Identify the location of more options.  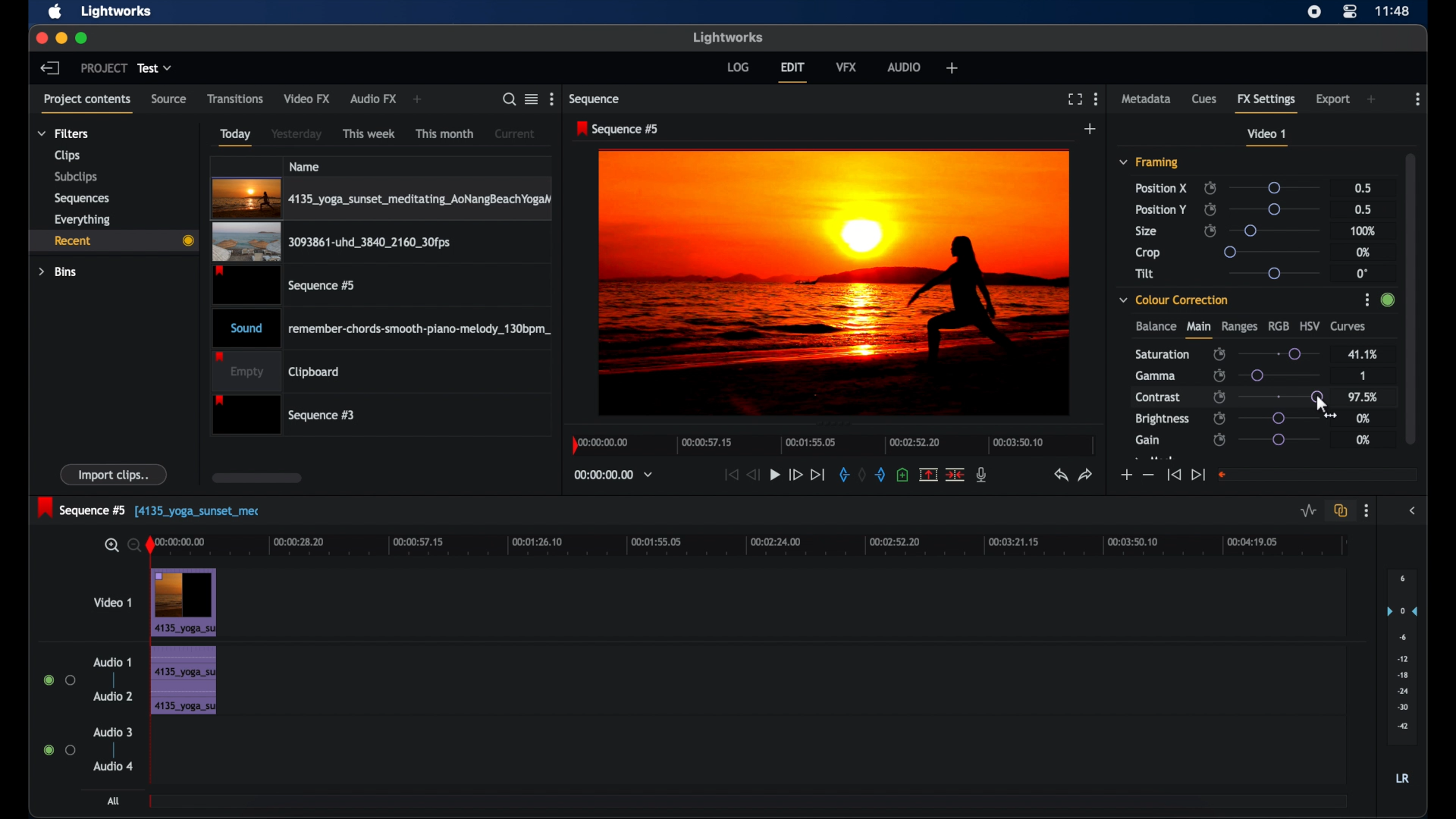
(551, 99).